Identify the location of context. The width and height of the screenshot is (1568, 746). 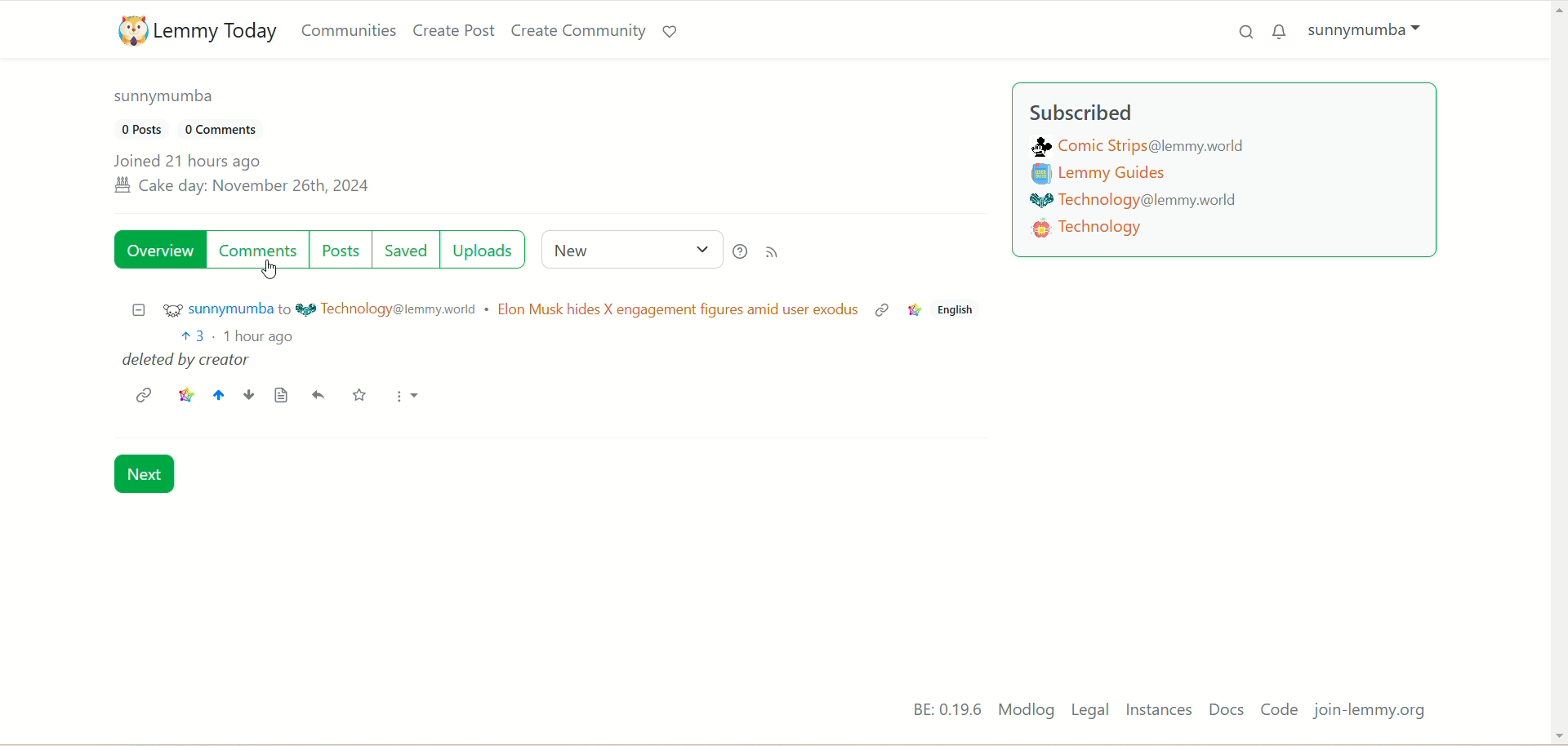
(185, 393).